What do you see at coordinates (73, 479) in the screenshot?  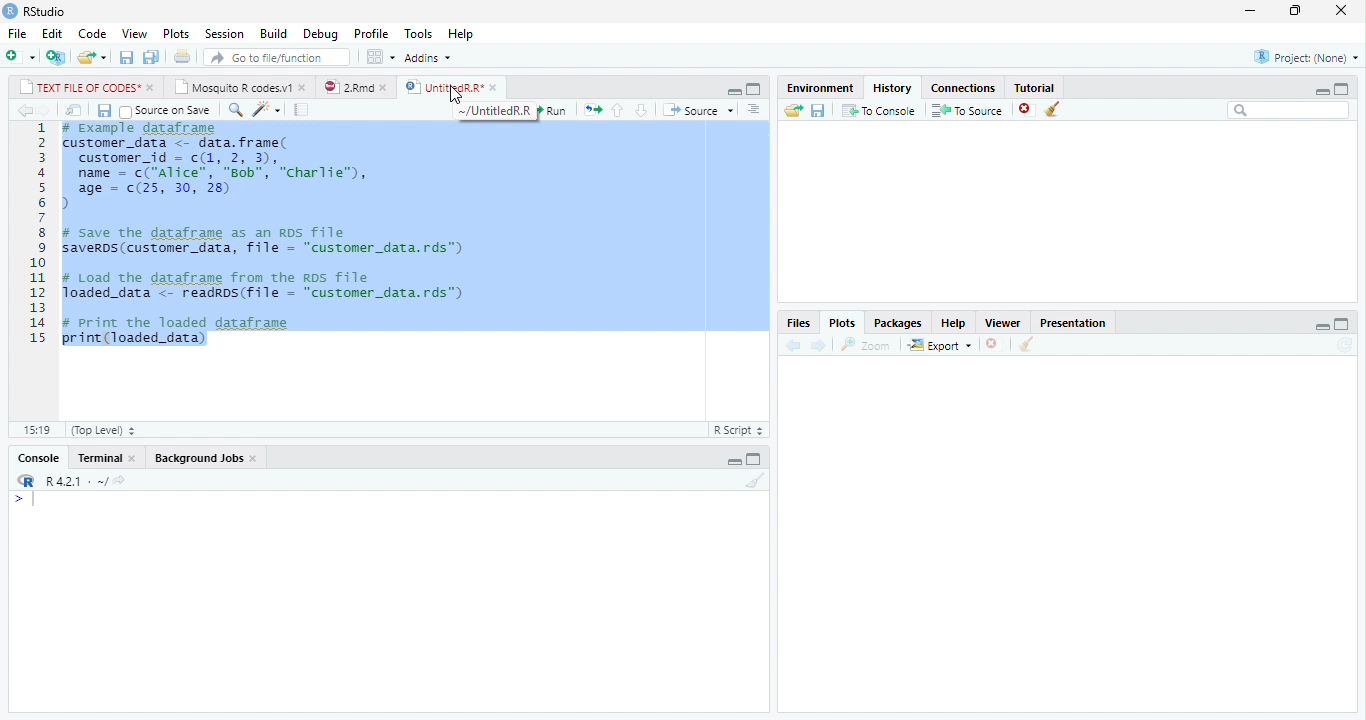 I see `R 4.2.1 .~/` at bounding box center [73, 479].